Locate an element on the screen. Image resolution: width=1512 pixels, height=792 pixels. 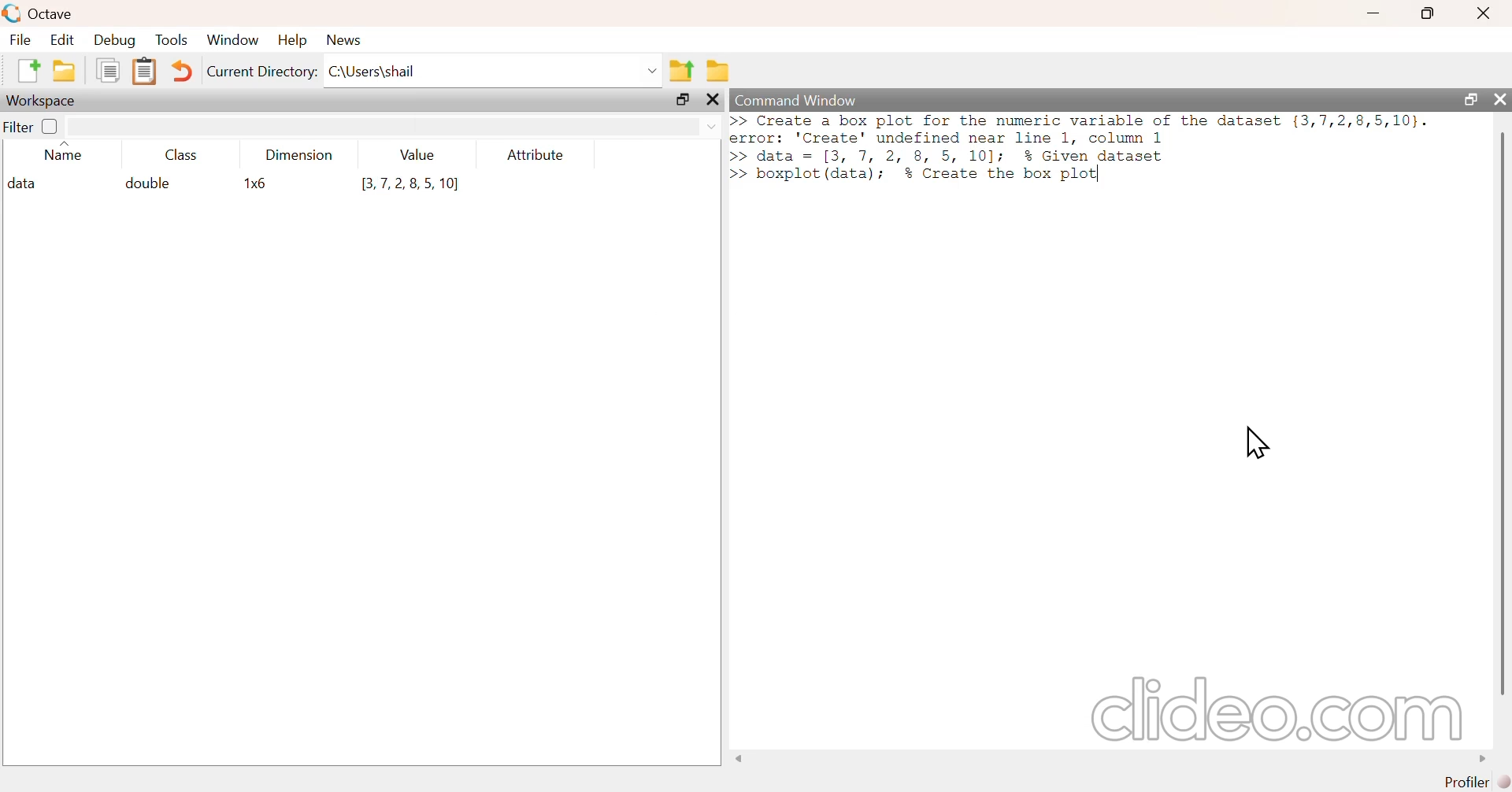
clideo.com is located at coordinates (1269, 709).